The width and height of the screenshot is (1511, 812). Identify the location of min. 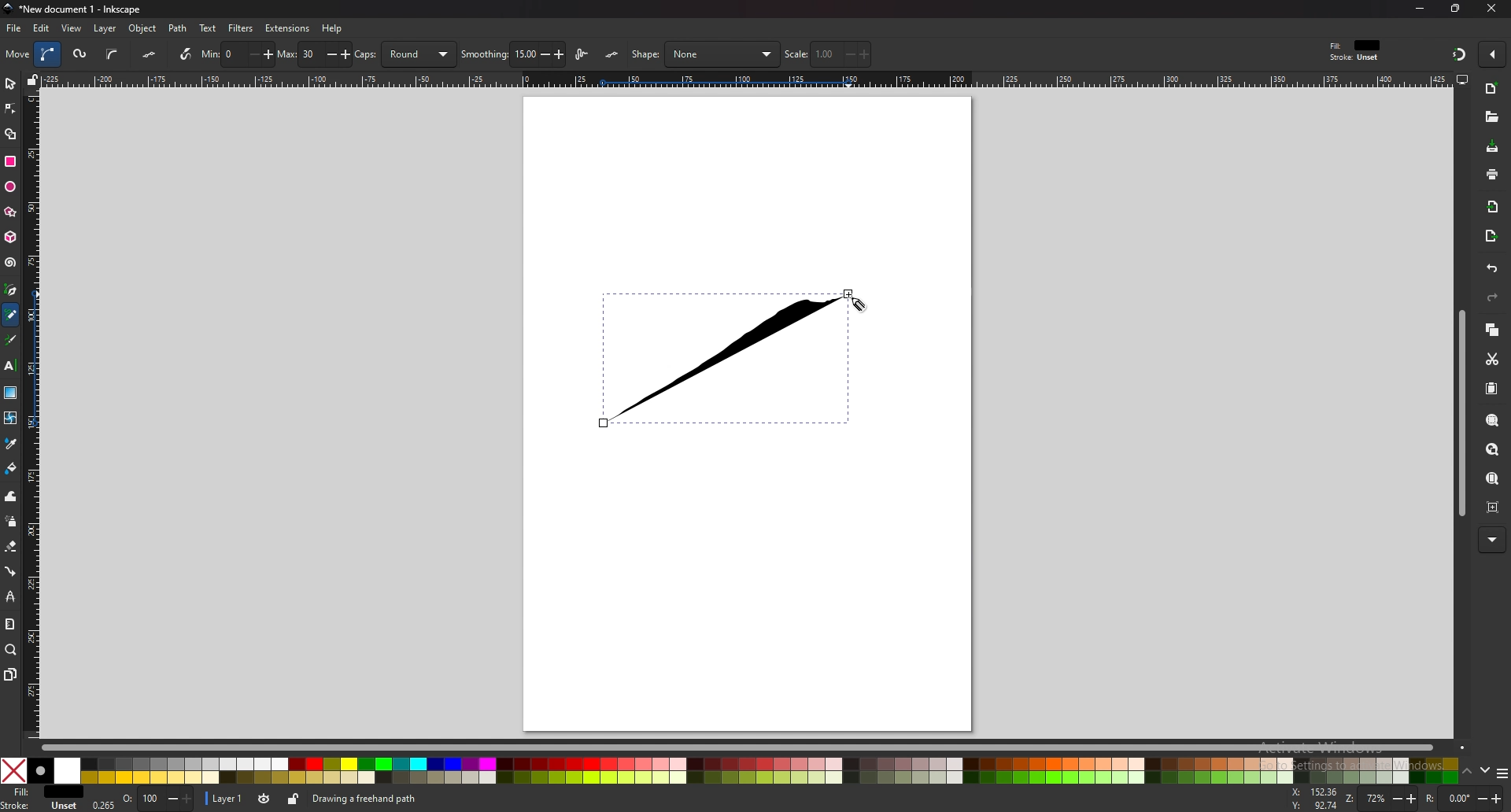
(238, 54).